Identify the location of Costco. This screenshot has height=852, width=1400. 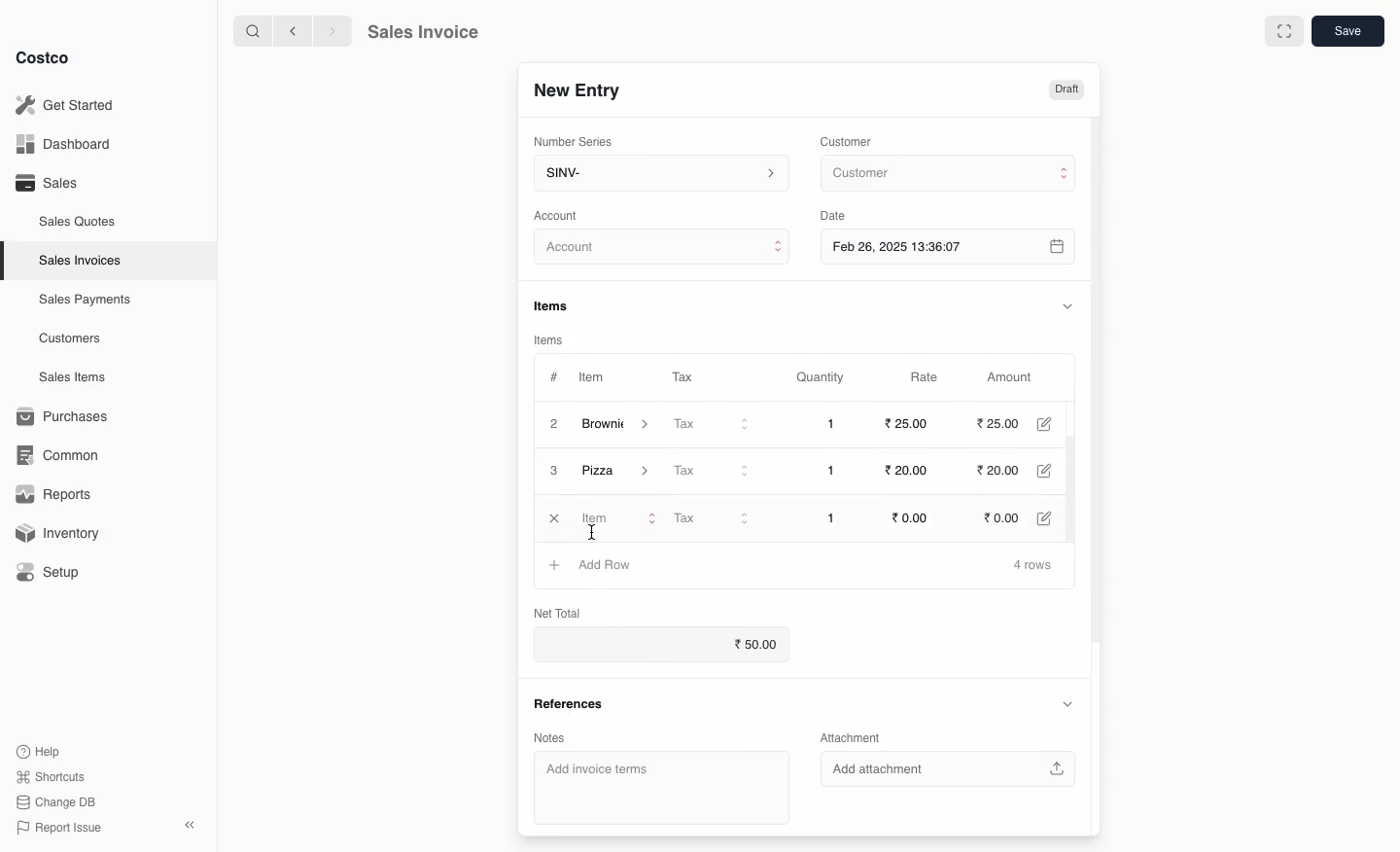
(48, 58).